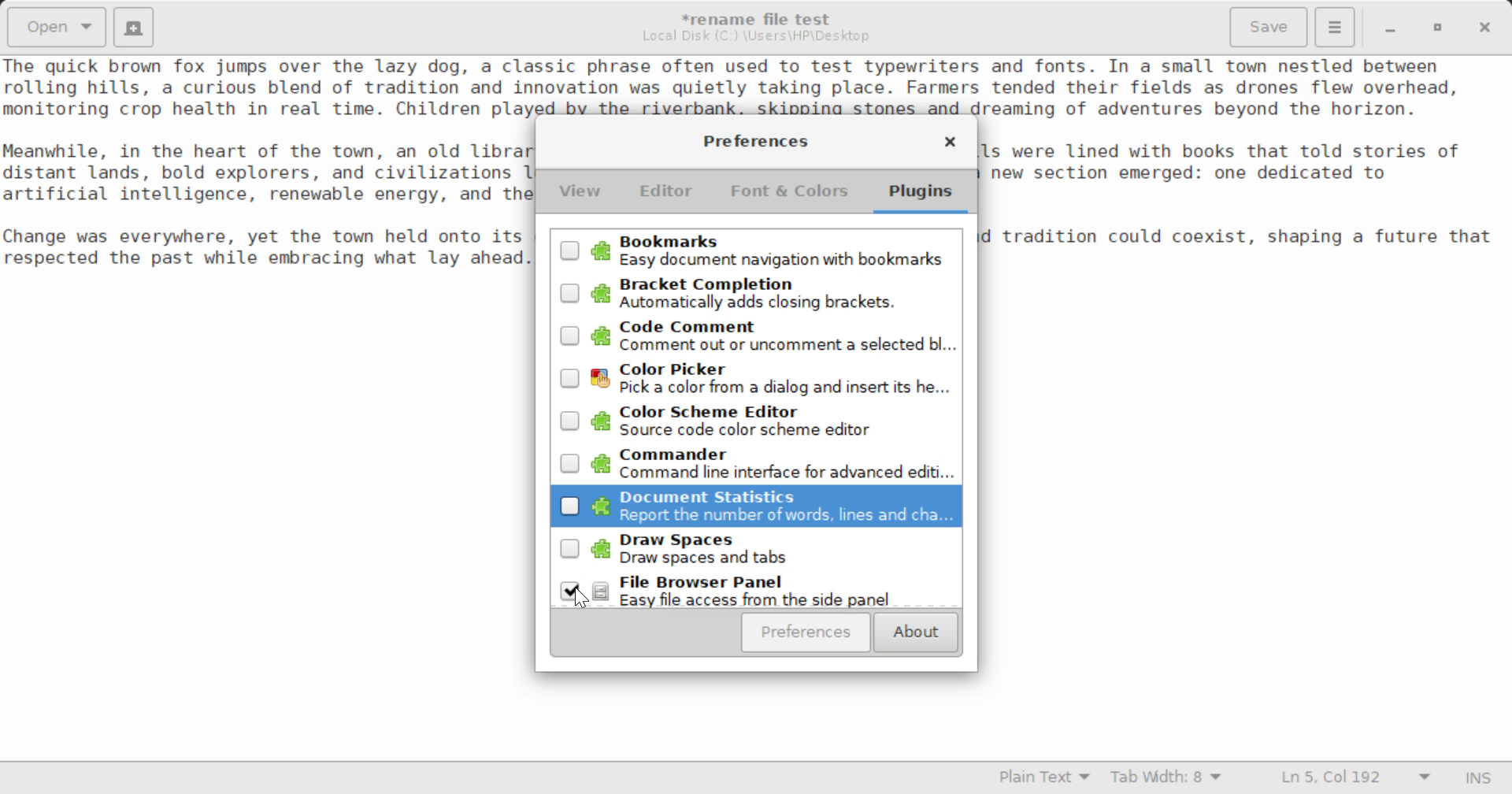  Describe the element at coordinates (758, 250) in the screenshot. I see `Unselected Bookmarks Plugin` at that location.